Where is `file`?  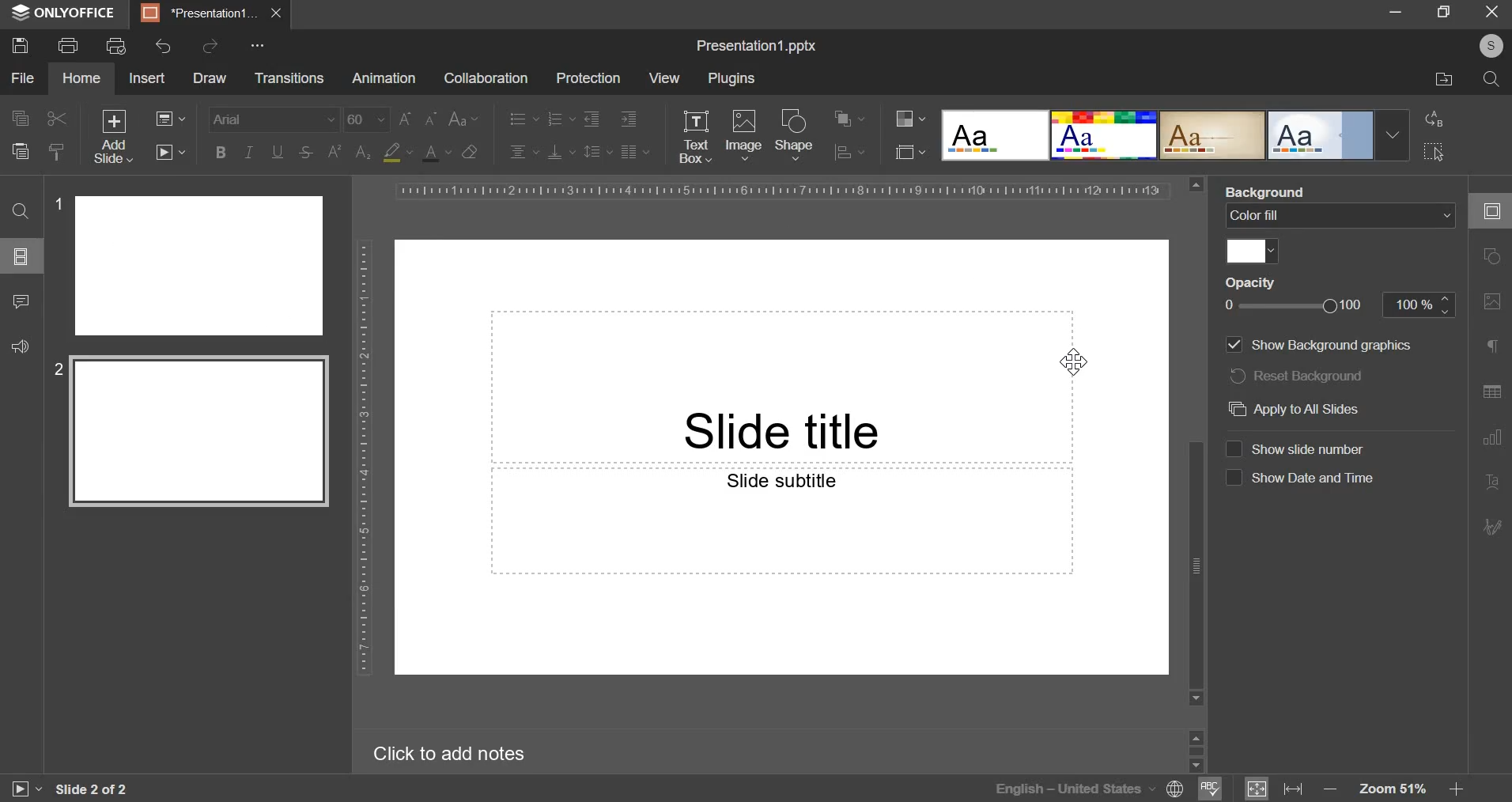
file is located at coordinates (22, 78).